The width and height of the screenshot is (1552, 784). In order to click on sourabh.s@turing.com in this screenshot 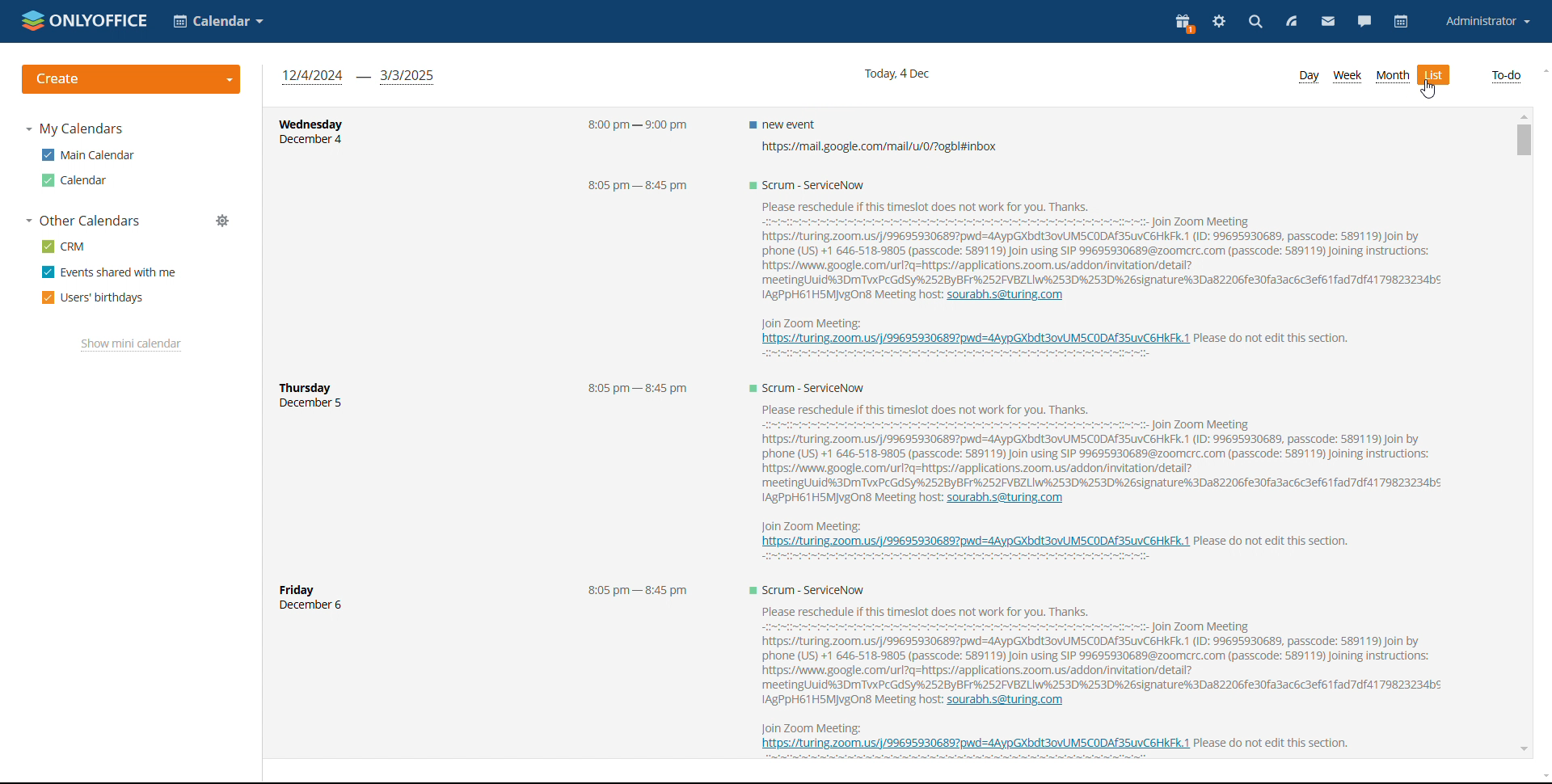, I will do `click(1010, 701)`.